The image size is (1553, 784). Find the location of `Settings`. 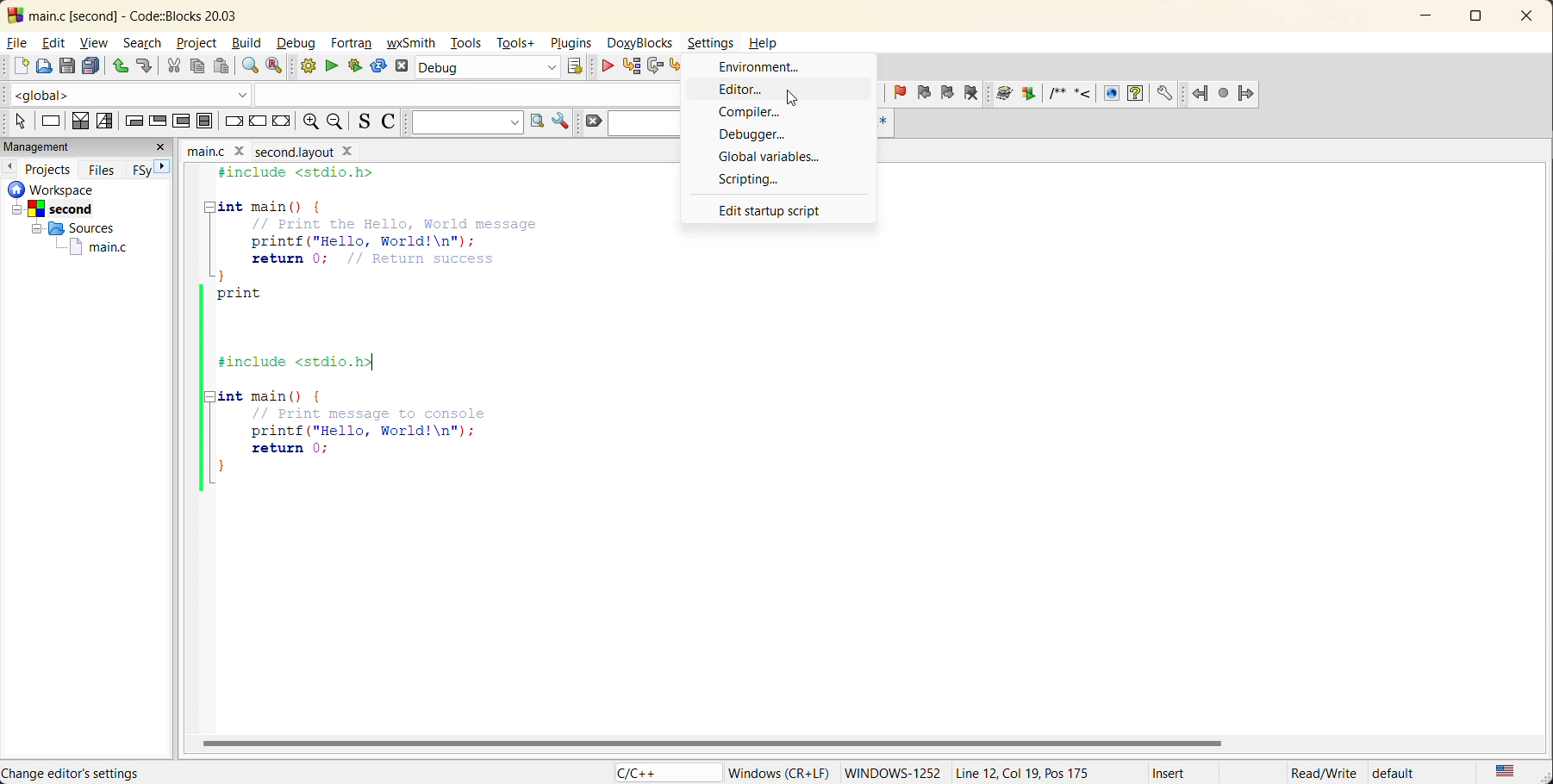

Settings is located at coordinates (708, 40).